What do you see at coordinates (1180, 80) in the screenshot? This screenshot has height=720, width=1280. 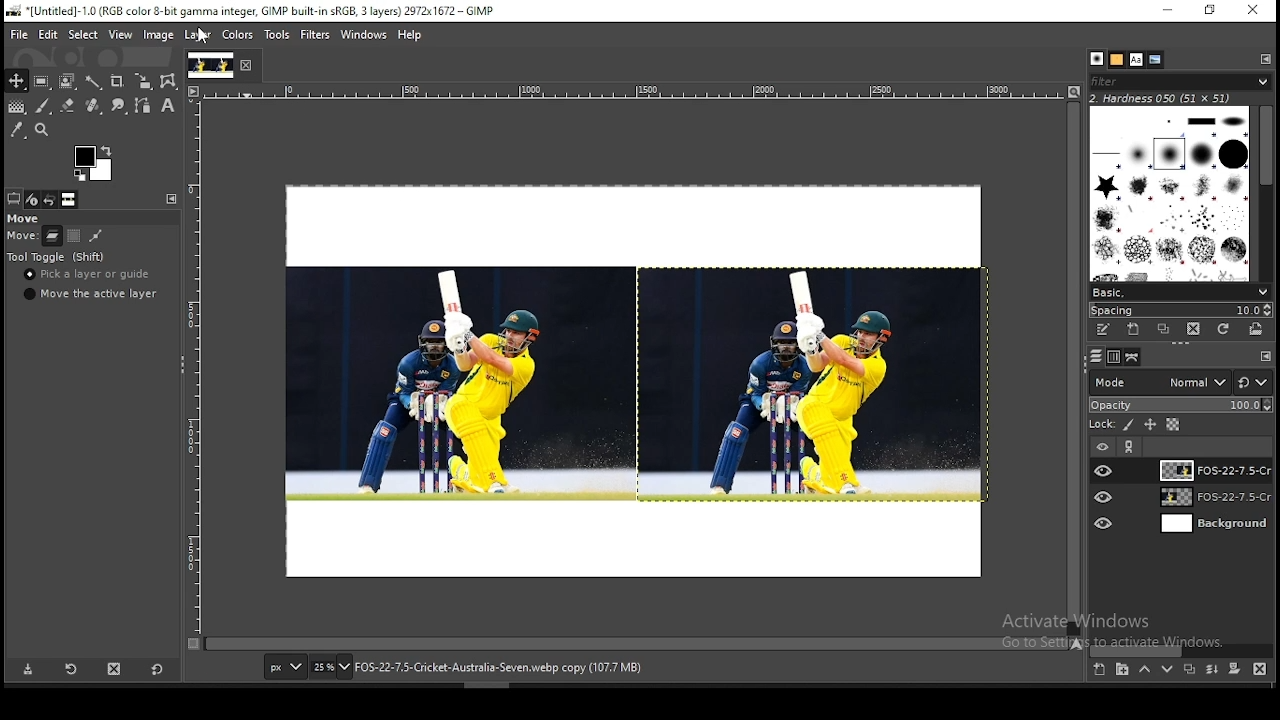 I see `brushes filter` at bounding box center [1180, 80].